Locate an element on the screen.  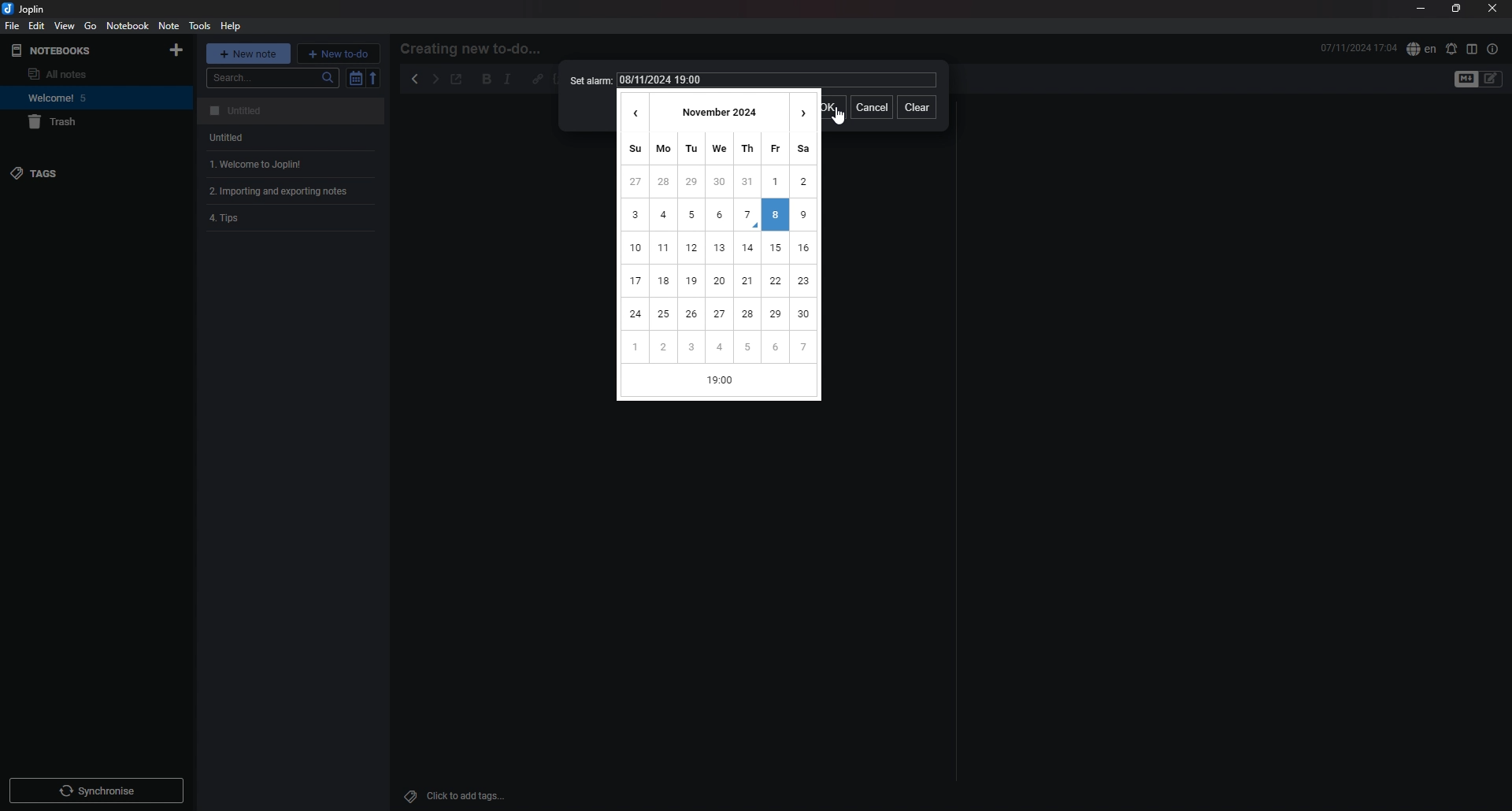
notebooks is located at coordinates (66, 50).